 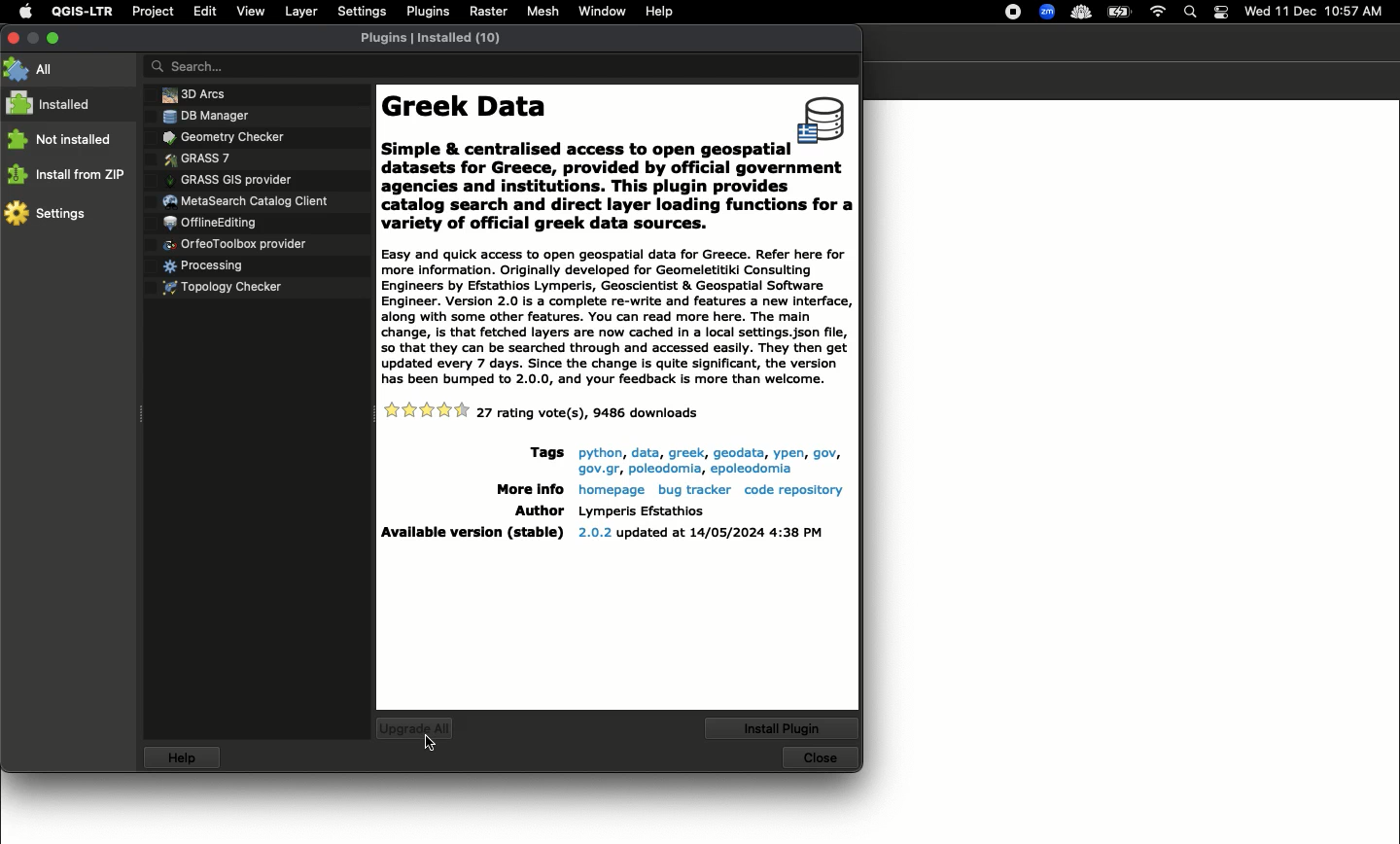 What do you see at coordinates (536, 510) in the screenshot?
I see `author` at bounding box center [536, 510].